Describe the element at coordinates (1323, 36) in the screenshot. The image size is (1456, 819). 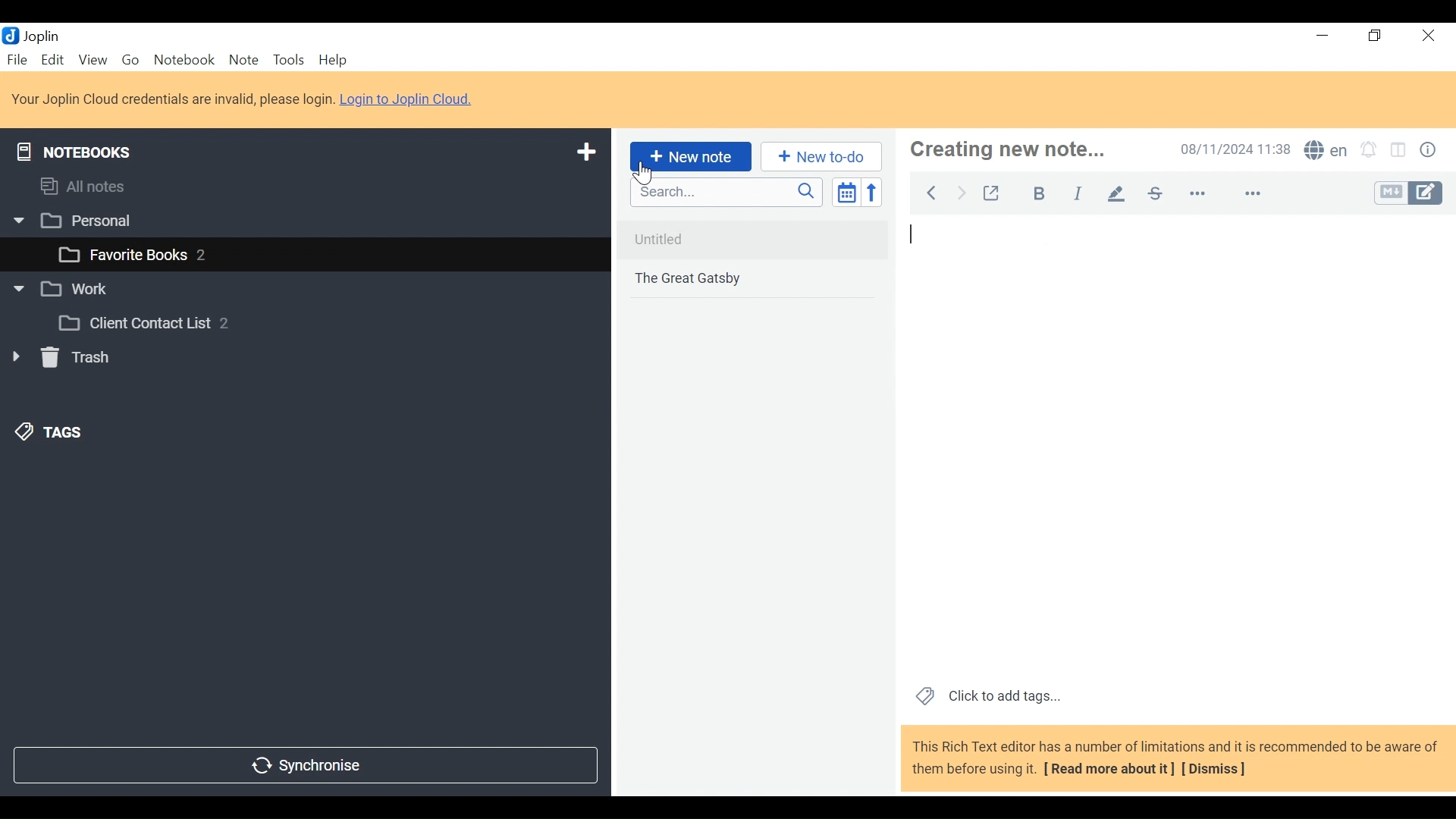
I see `minimize` at that location.